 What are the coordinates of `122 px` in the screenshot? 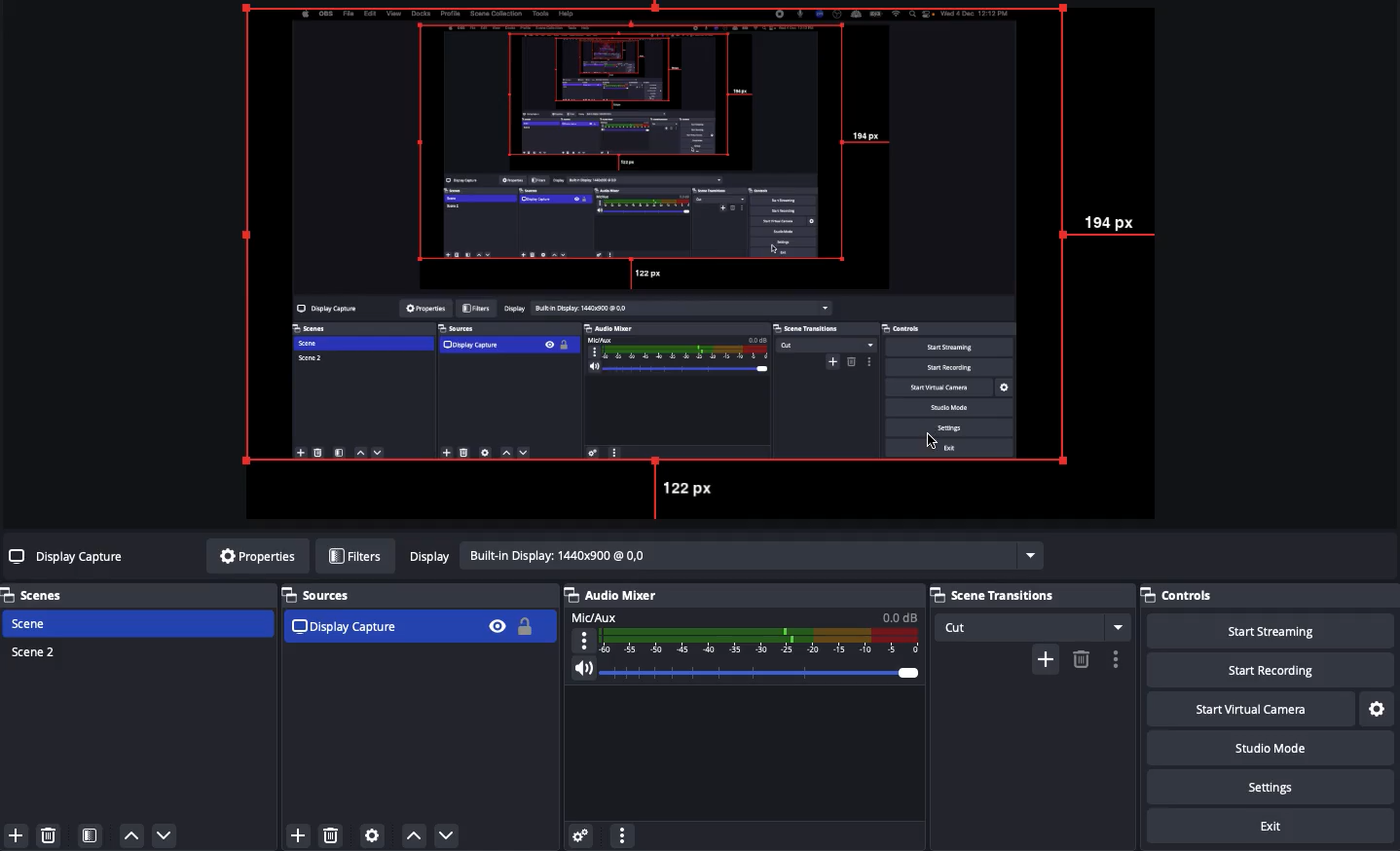 It's located at (691, 489).